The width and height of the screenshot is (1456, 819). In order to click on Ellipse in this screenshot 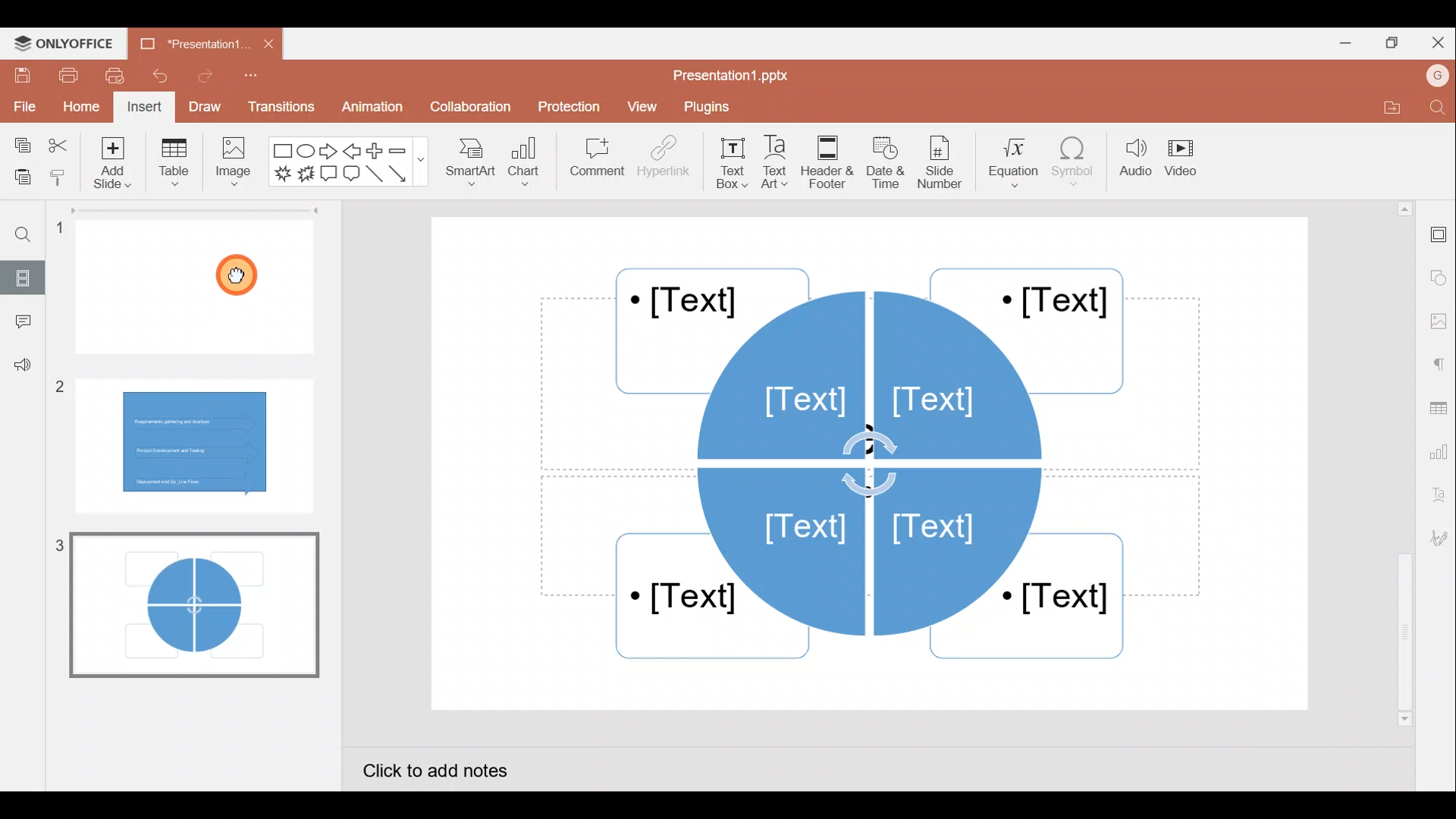, I will do `click(305, 152)`.